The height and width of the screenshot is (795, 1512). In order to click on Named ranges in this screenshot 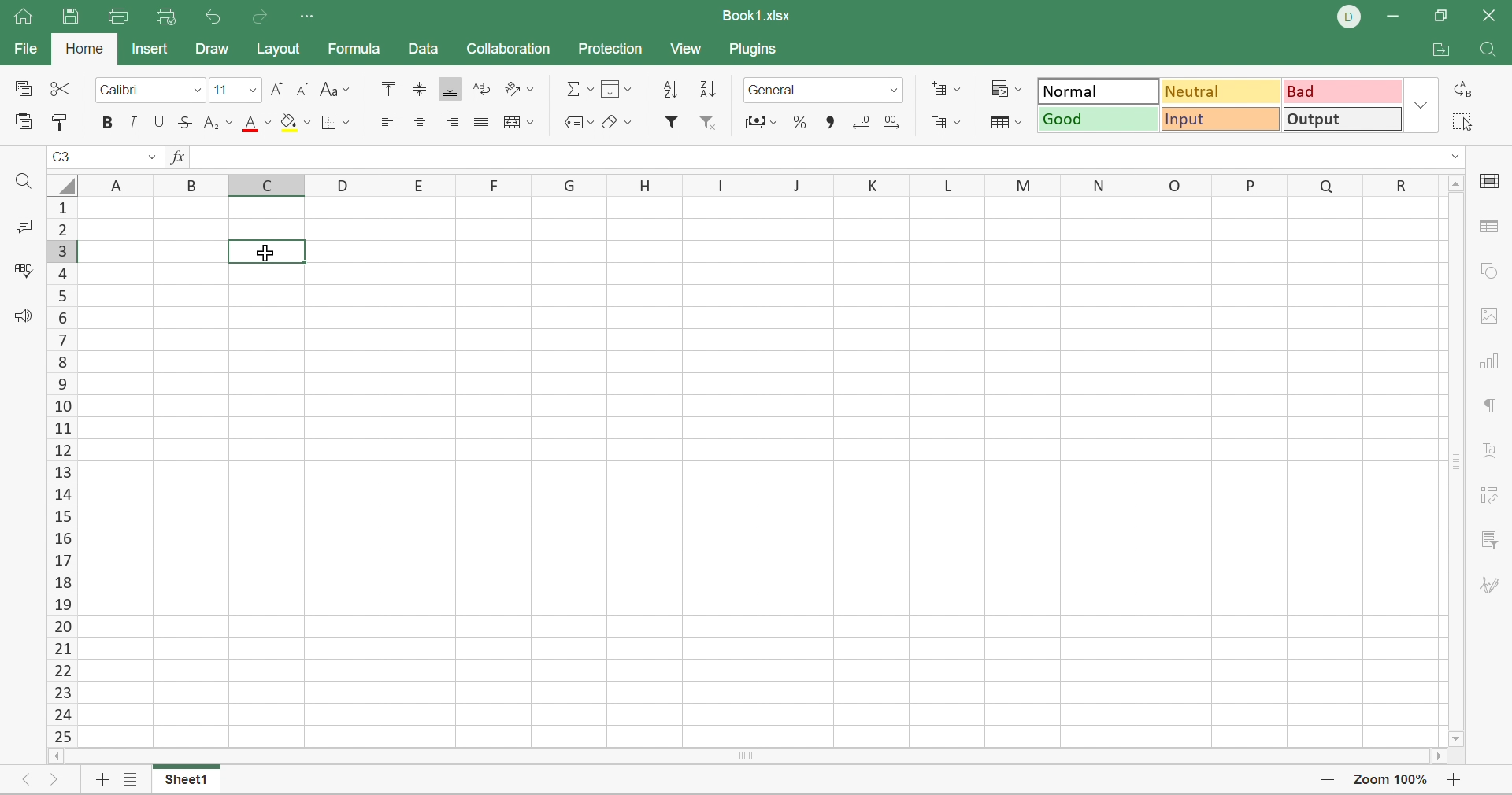, I will do `click(580, 122)`.